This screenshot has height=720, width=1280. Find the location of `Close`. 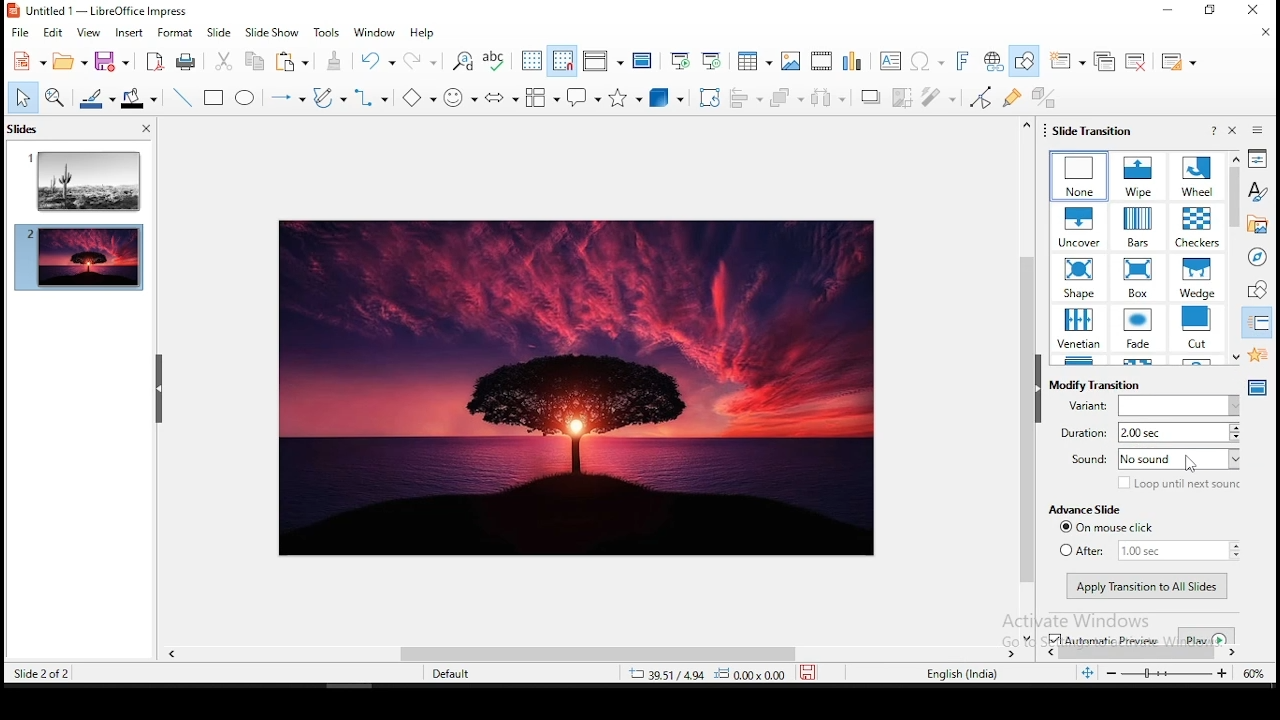

Close is located at coordinates (1250, 12).